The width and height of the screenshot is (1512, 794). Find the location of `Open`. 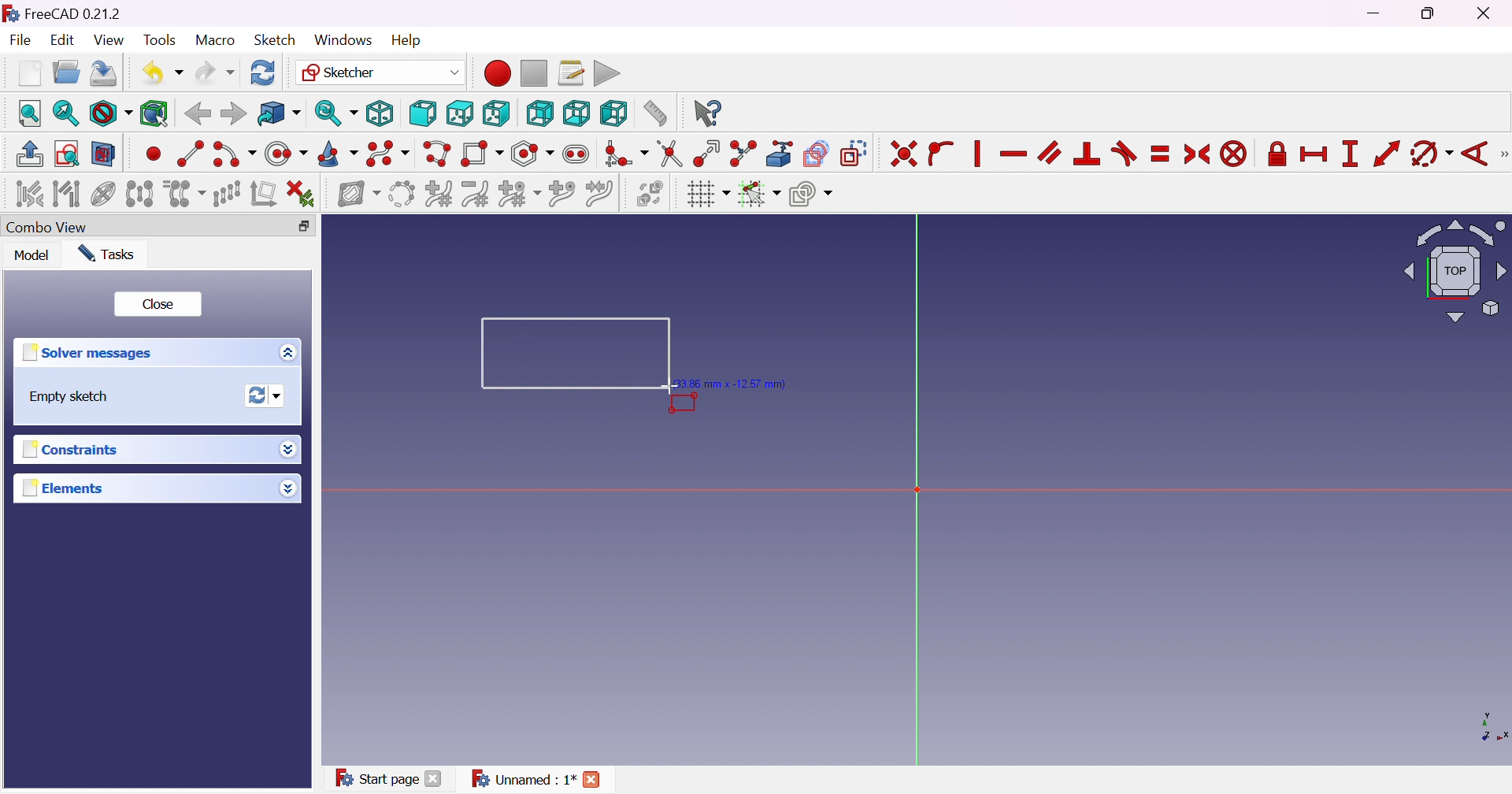

Open is located at coordinates (65, 72).